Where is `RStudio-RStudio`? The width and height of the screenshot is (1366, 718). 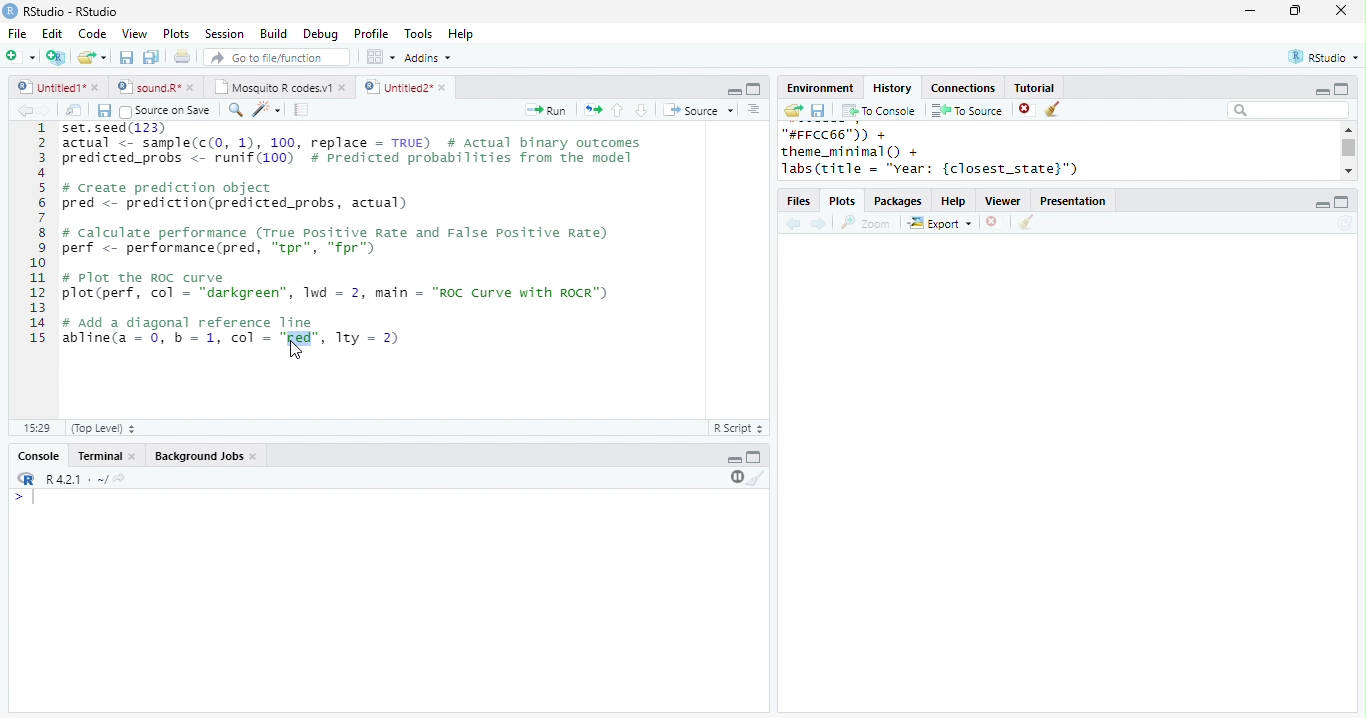
RStudio-RStudio is located at coordinates (75, 12).